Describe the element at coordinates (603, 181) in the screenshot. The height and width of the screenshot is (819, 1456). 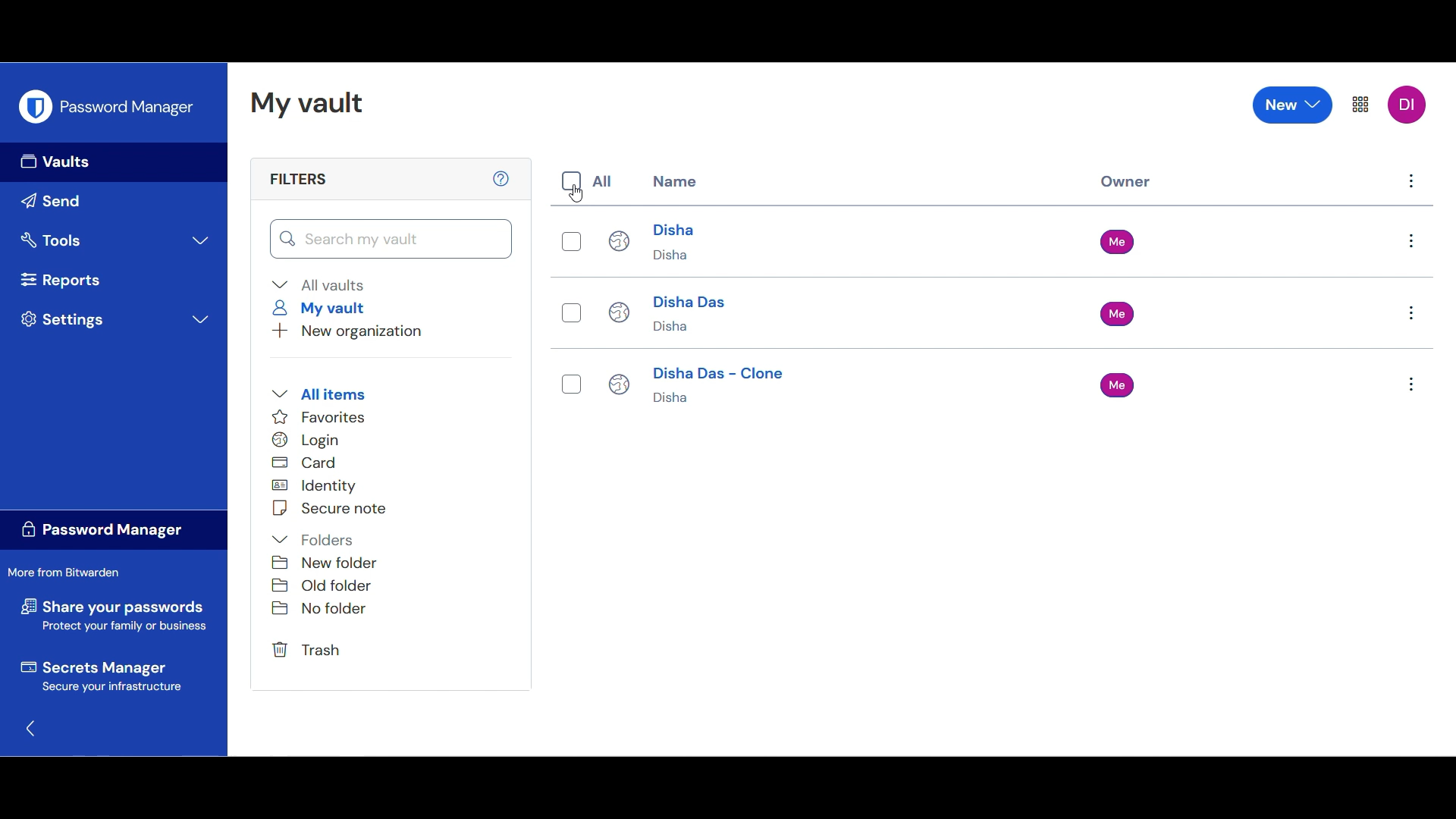
I see `All column` at that location.